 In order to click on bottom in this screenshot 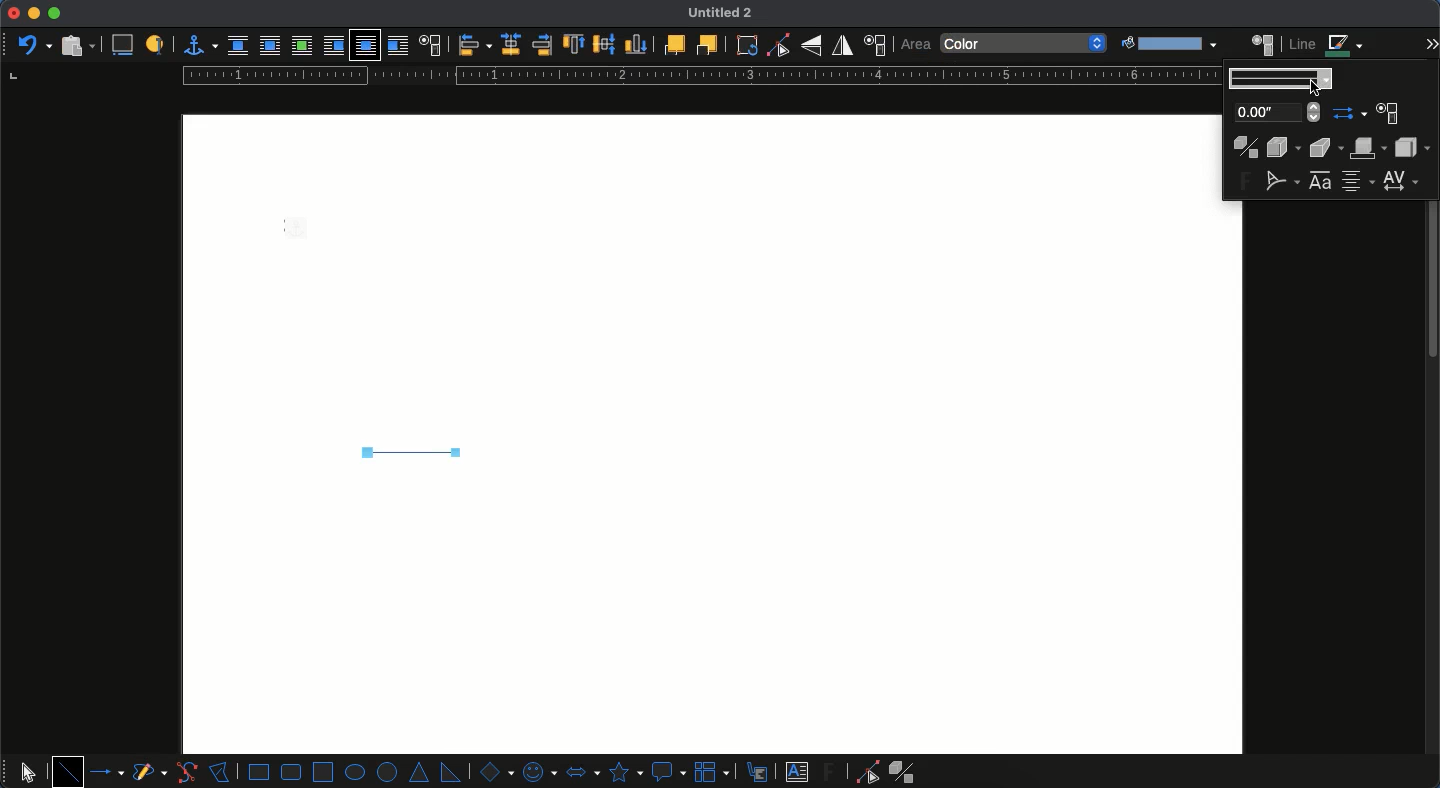, I will do `click(637, 44)`.